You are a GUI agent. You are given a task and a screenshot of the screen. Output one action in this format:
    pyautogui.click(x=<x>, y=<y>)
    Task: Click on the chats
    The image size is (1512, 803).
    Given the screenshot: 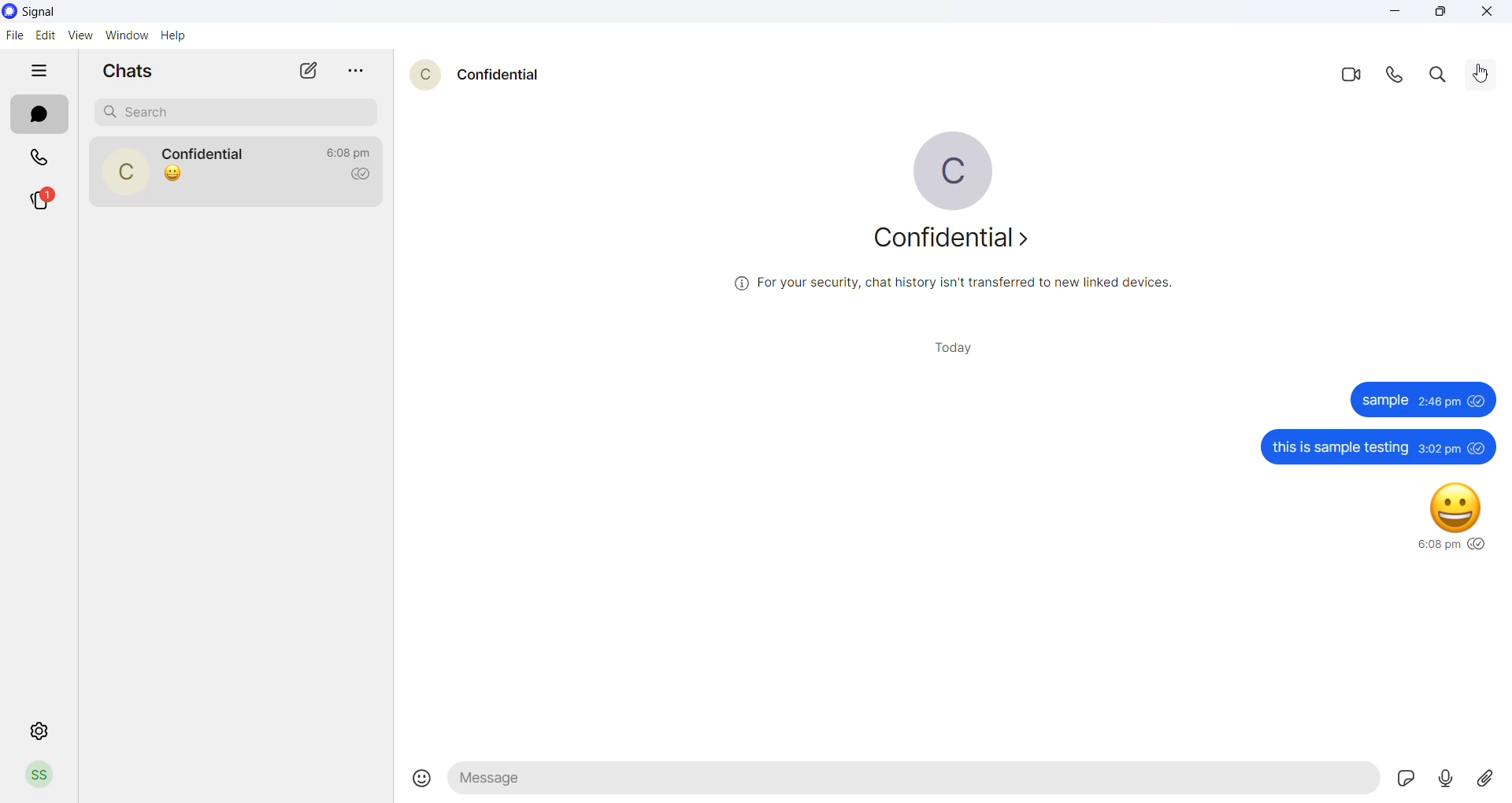 What is the action you would take?
    pyautogui.click(x=39, y=114)
    